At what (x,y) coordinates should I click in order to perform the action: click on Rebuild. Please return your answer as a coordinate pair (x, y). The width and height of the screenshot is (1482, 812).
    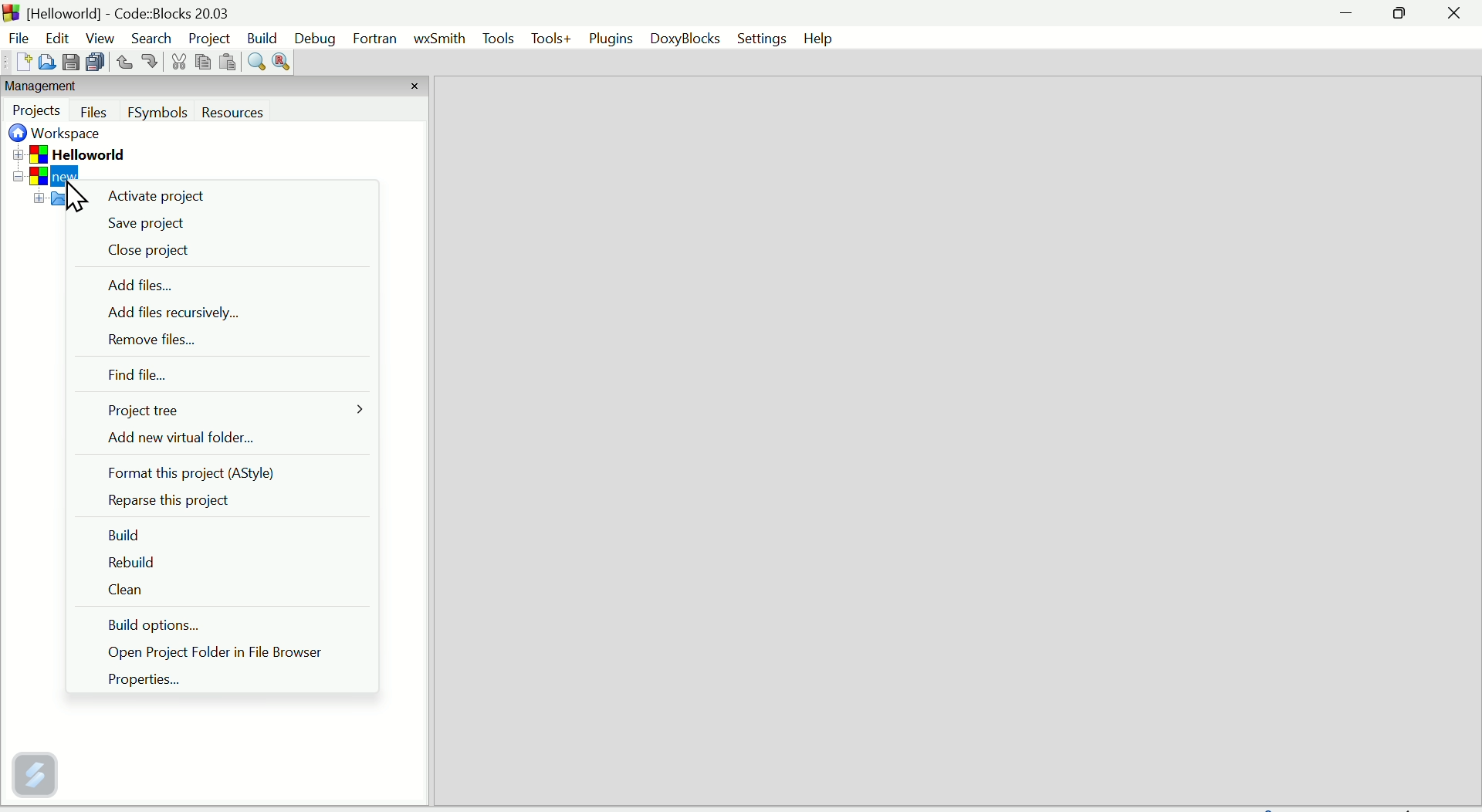
    Looking at the image, I should click on (130, 563).